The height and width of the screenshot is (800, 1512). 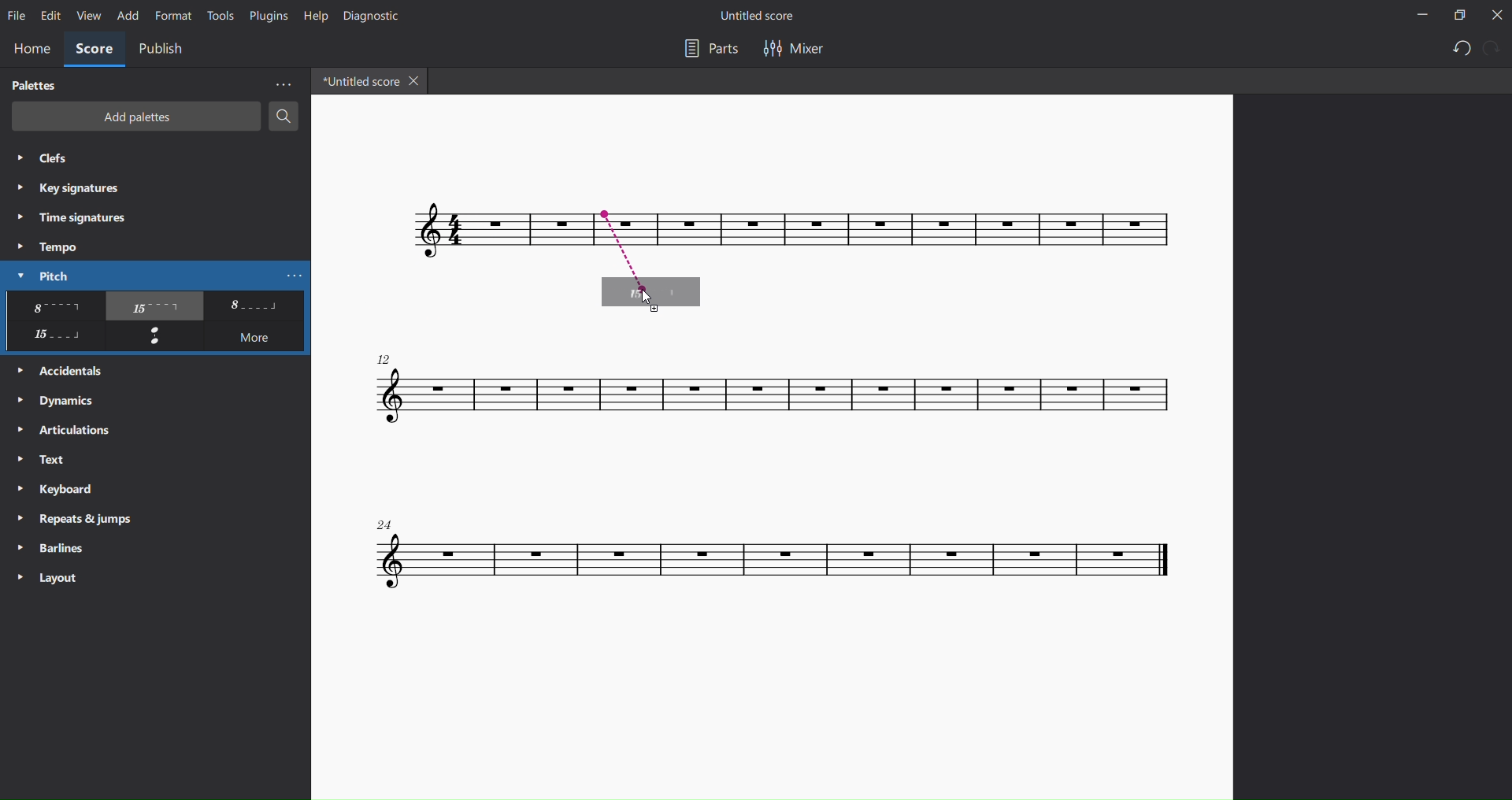 What do you see at coordinates (28, 50) in the screenshot?
I see `home` at bounding box center [28, 50].